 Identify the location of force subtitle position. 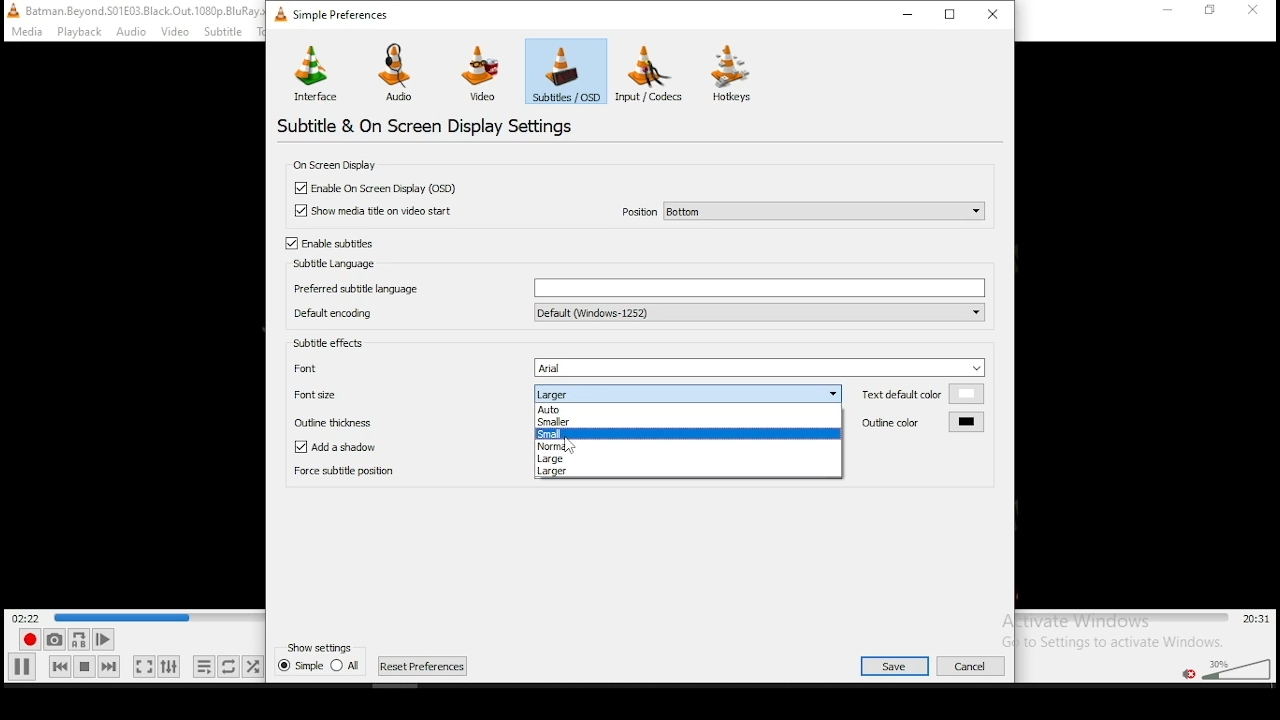
(343, 475).